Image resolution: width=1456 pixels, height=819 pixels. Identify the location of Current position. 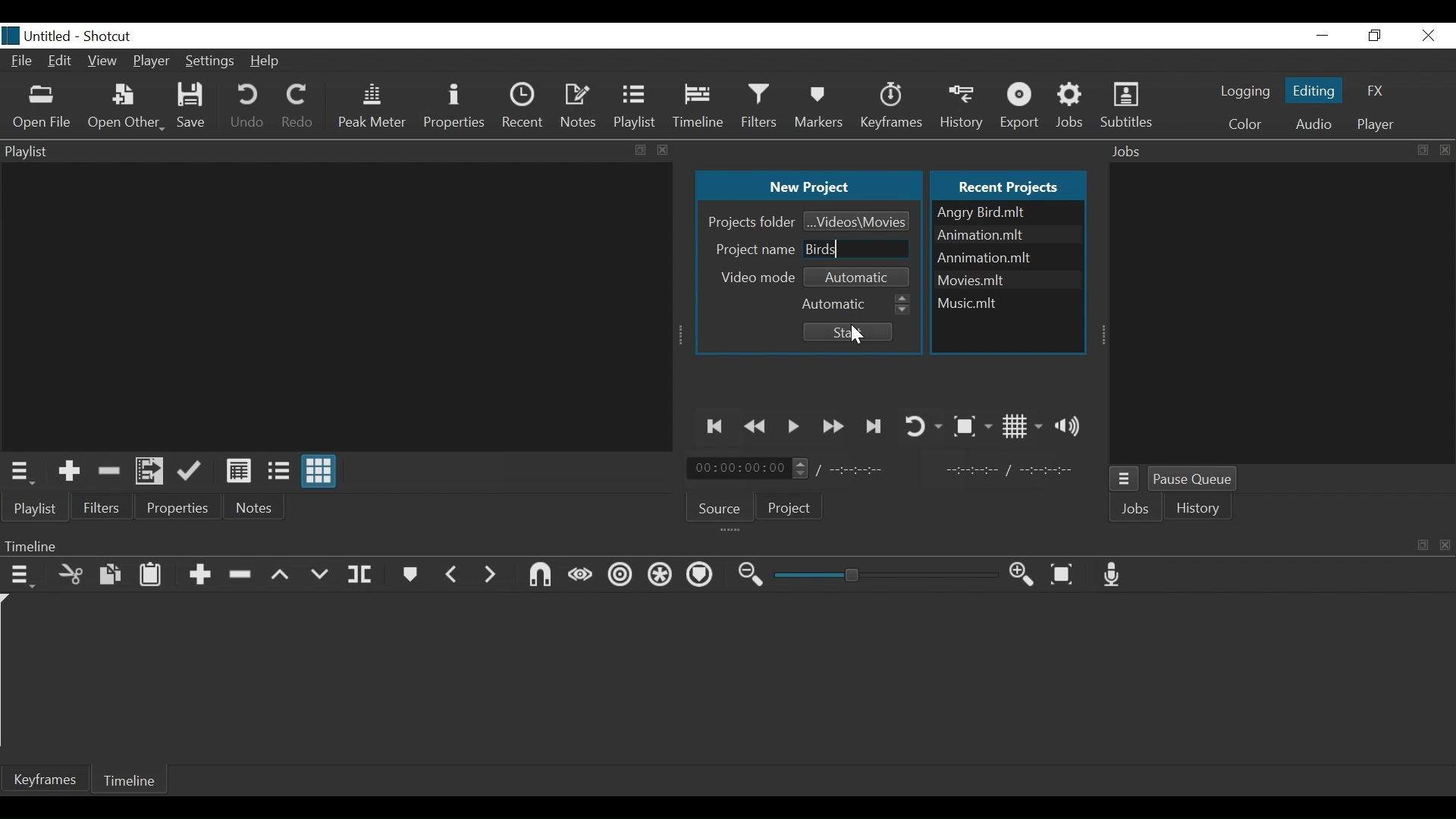
(752, 469).